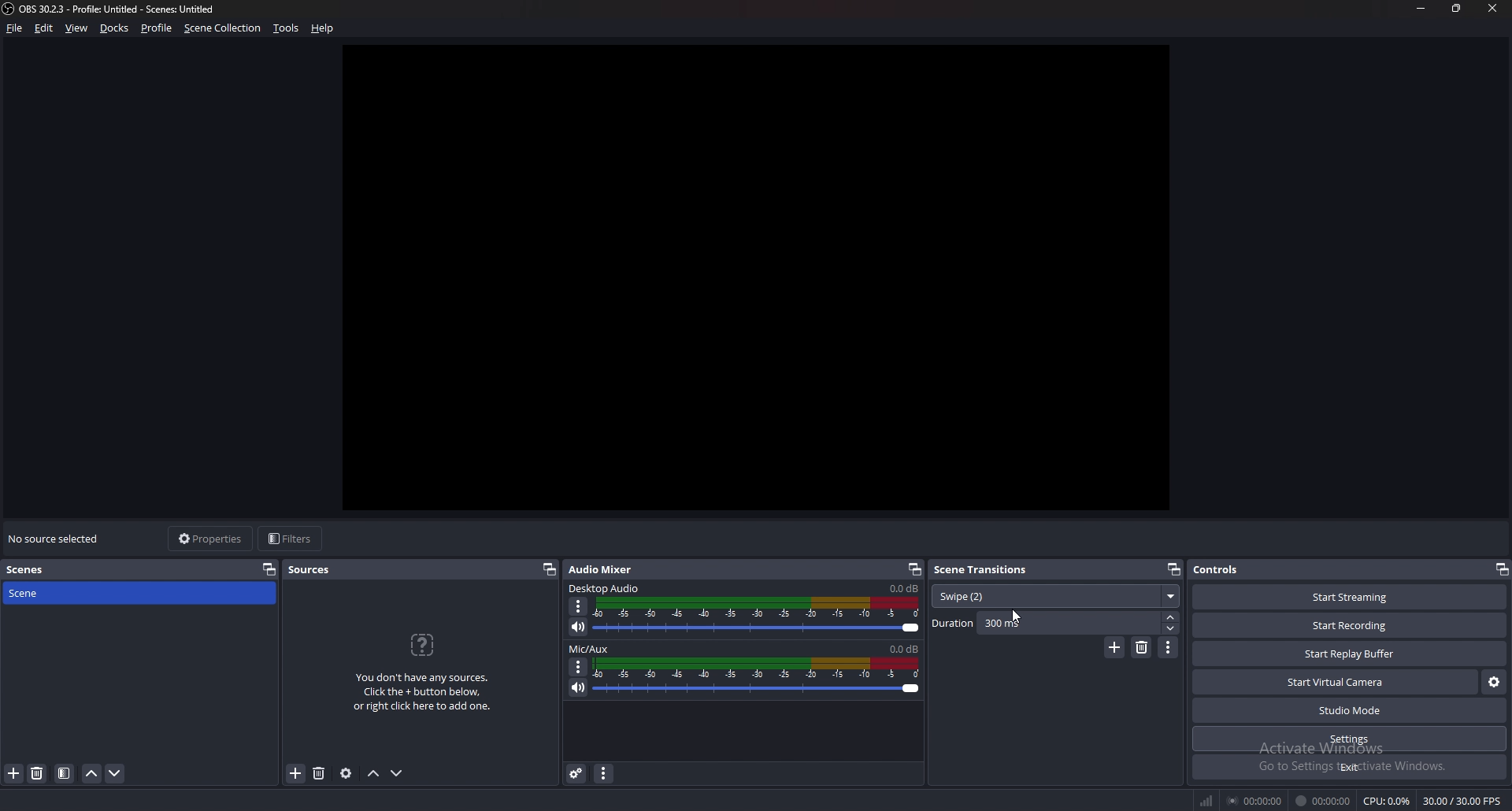 The width and height of the screenshot is (1512, 811). What do you see at coordinates (1464, 801) in the screenshot?
I see `fps` at bounding box center [1464, 801].